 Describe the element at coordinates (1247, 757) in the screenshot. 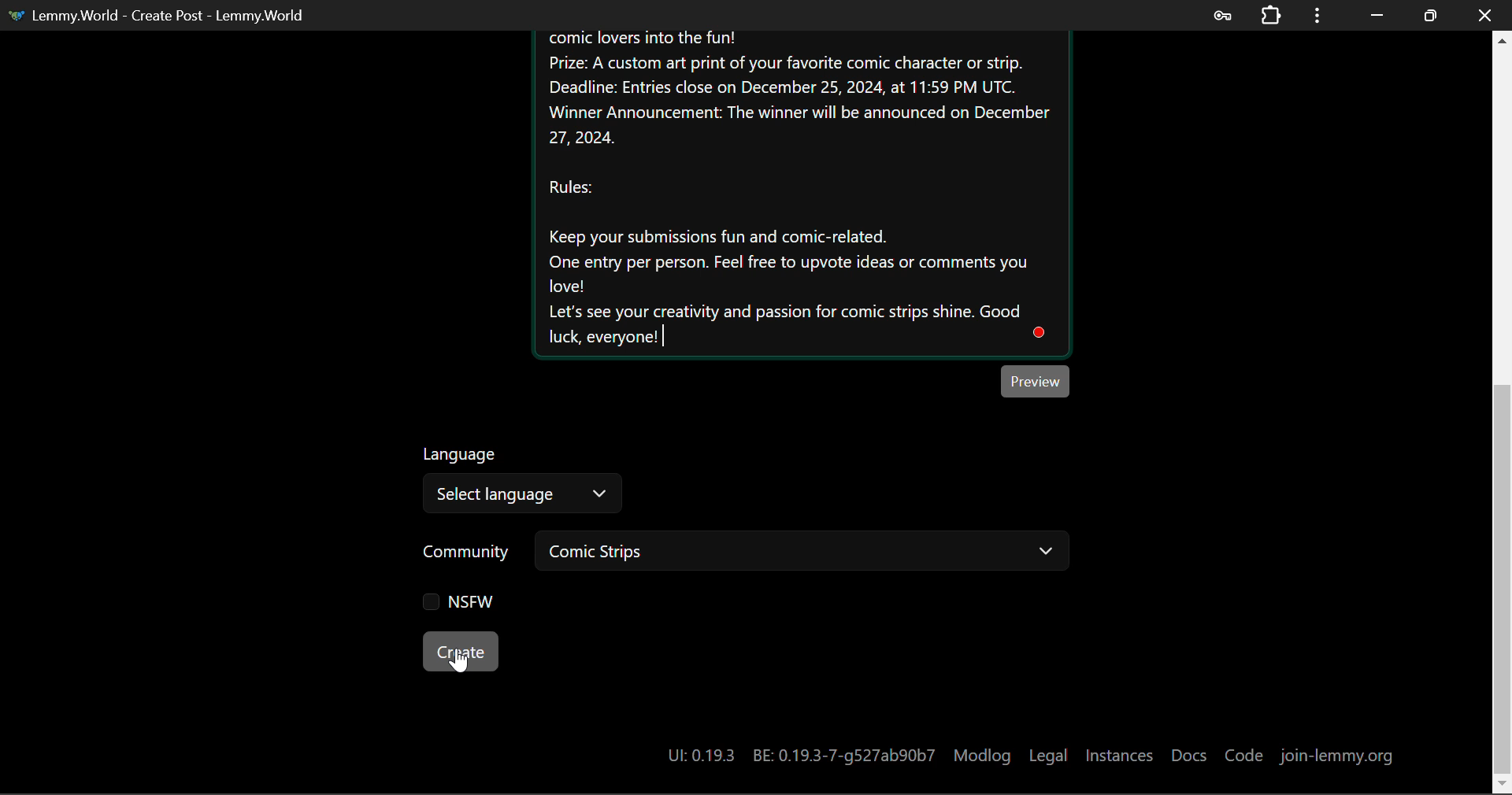

I see `Code` at that location.